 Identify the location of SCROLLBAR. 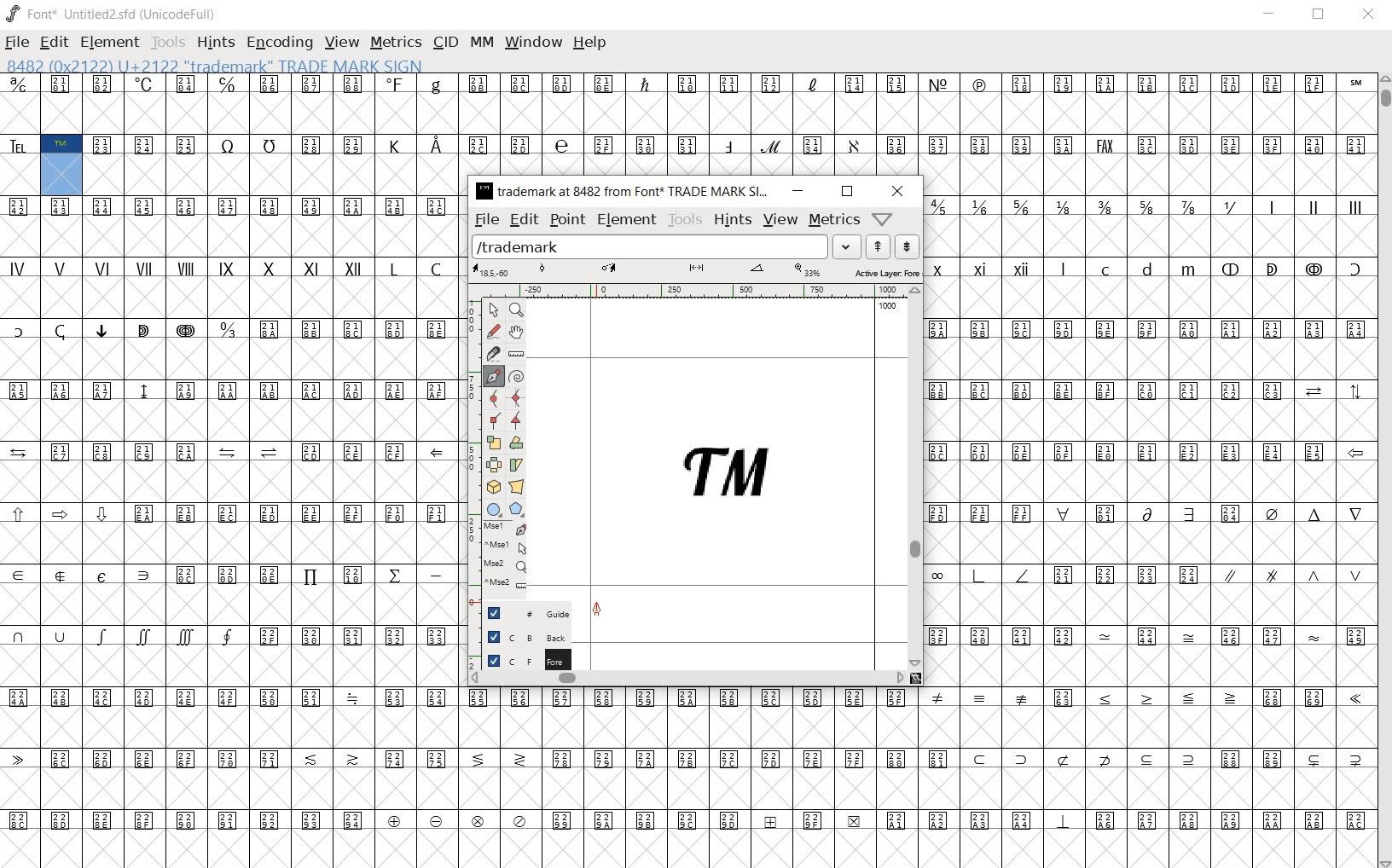
(1383, 472).